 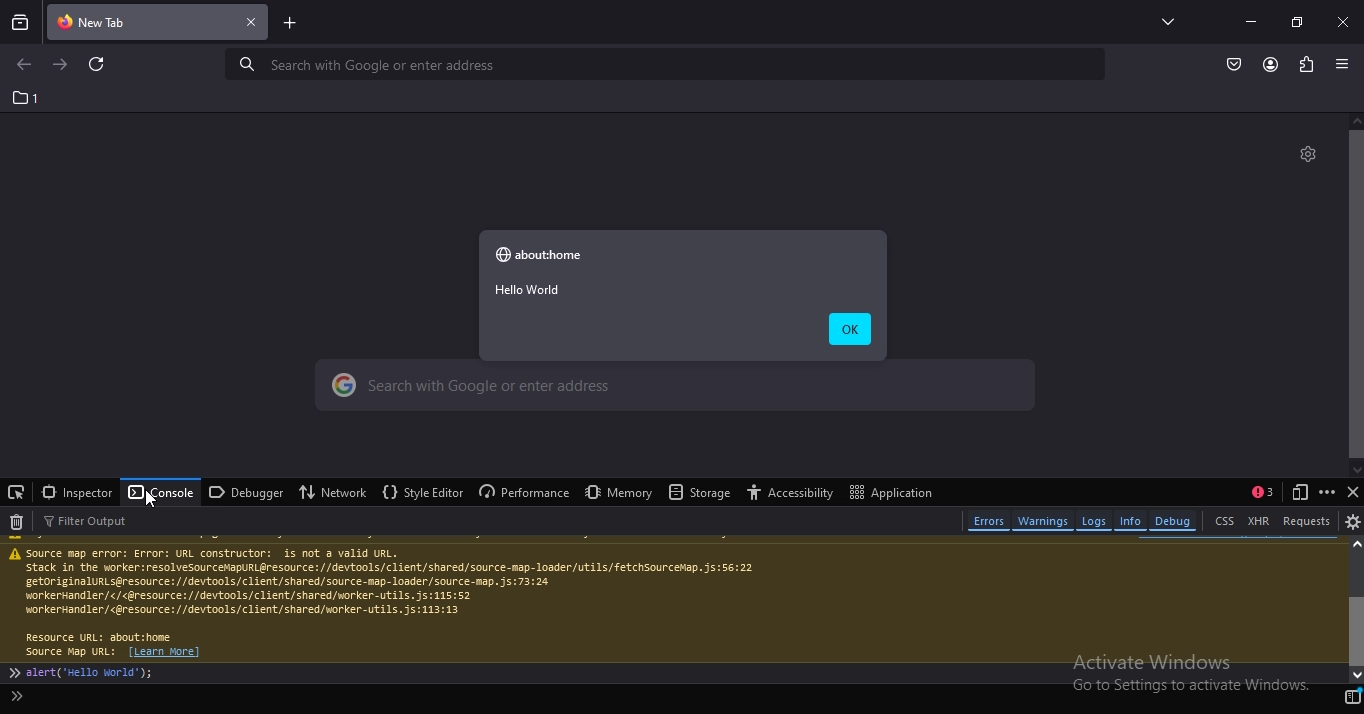 I want to click on application, so click(x=889, y=492).